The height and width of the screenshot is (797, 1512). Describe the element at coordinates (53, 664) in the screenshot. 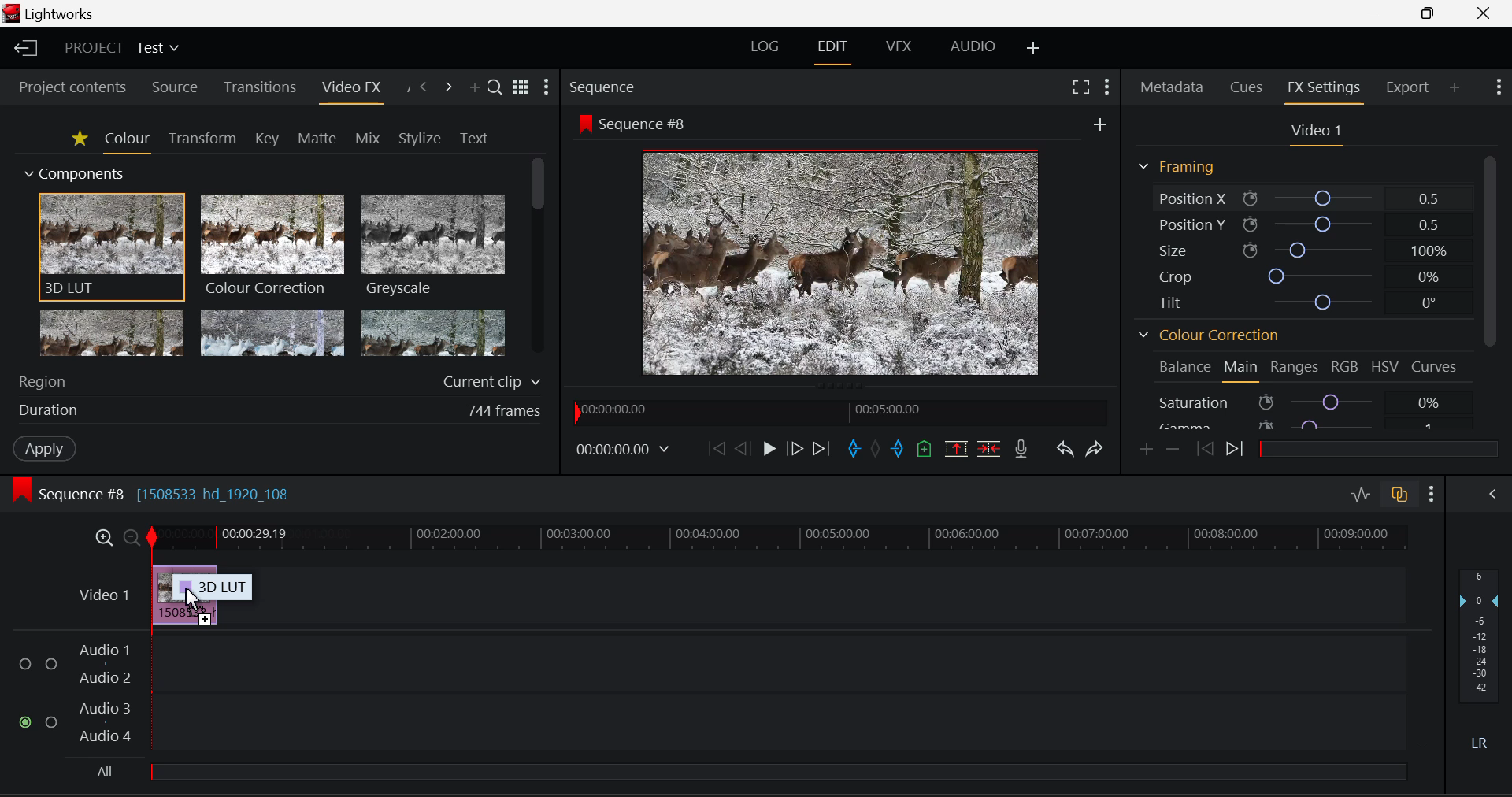

I see `Audio Input Checkbox` at that location.